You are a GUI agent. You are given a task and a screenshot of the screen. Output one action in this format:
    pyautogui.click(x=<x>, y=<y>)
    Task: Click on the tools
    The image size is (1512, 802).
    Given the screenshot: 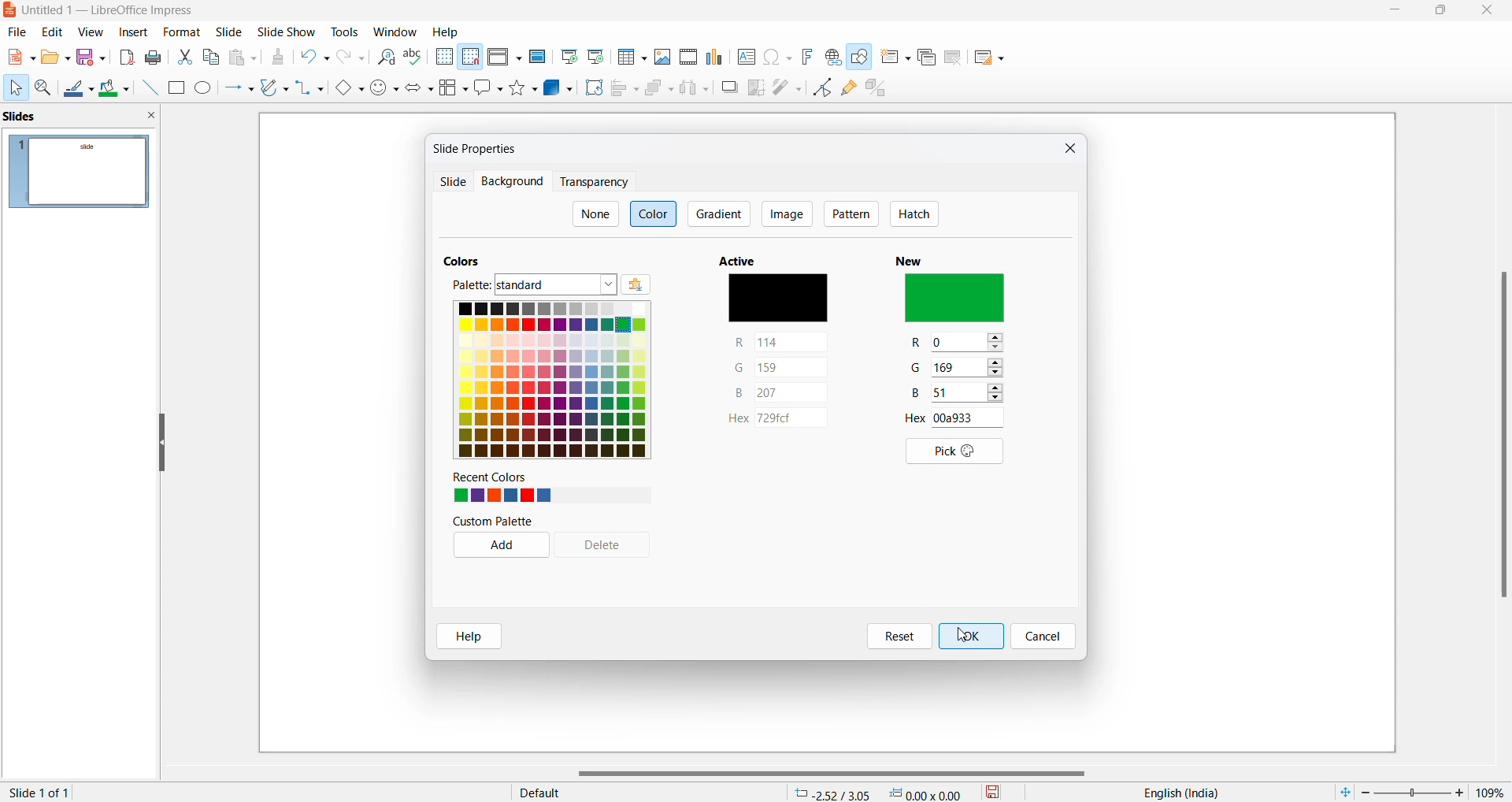 What is the action you would take?
    pyautogui.click(x=346, y=31)
    